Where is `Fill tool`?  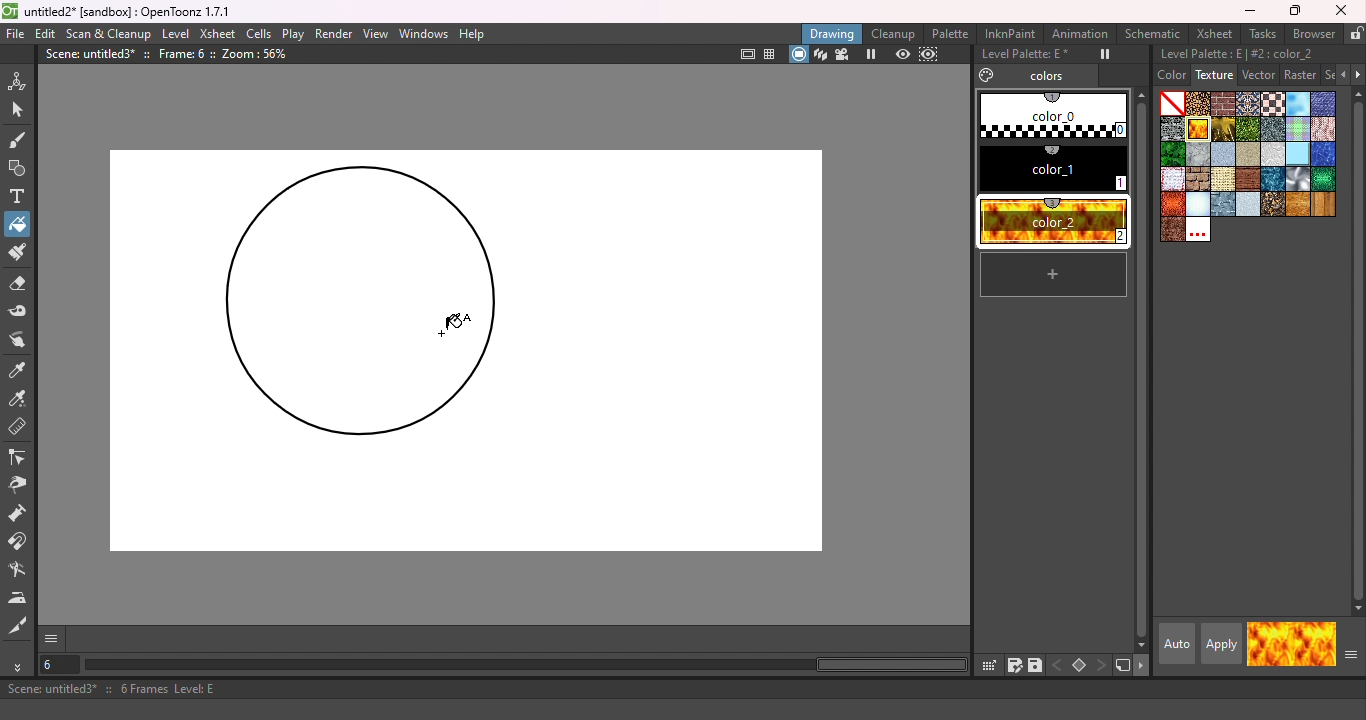
Fill tool is located at coordinates (17, 227).